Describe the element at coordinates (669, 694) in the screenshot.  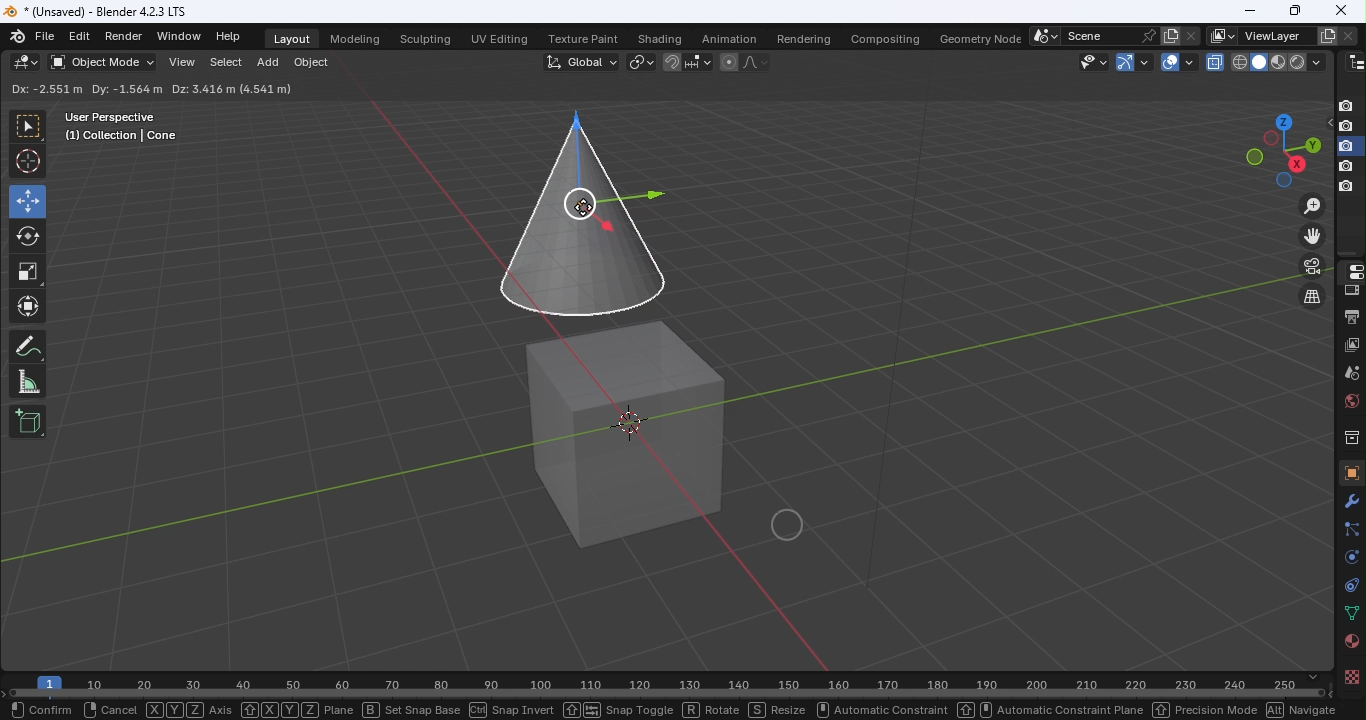
I see `Horizontal scroll bar` at that location.